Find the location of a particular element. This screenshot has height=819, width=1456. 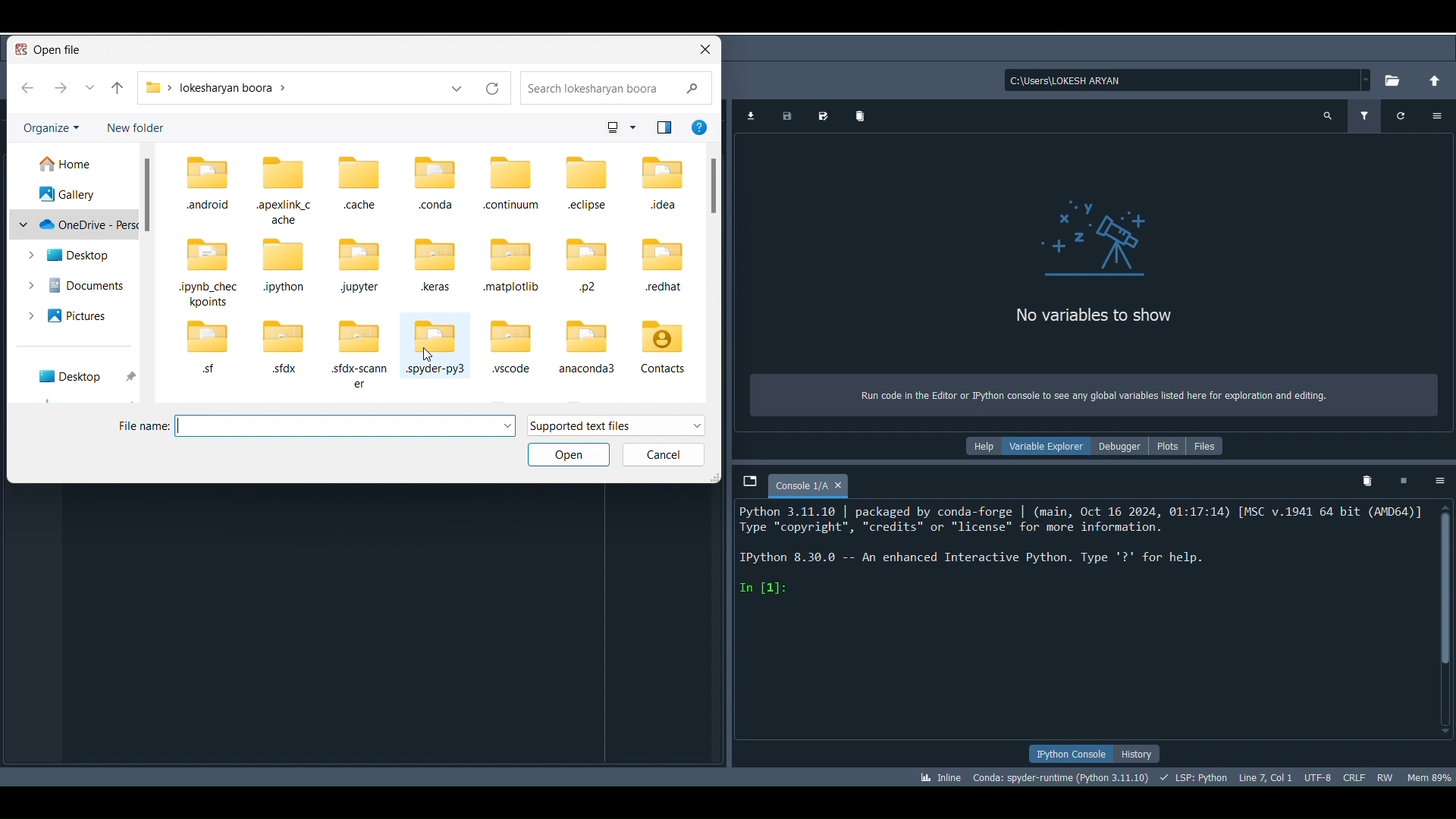

Change to parent directory is located at coordinates (1437, 81).